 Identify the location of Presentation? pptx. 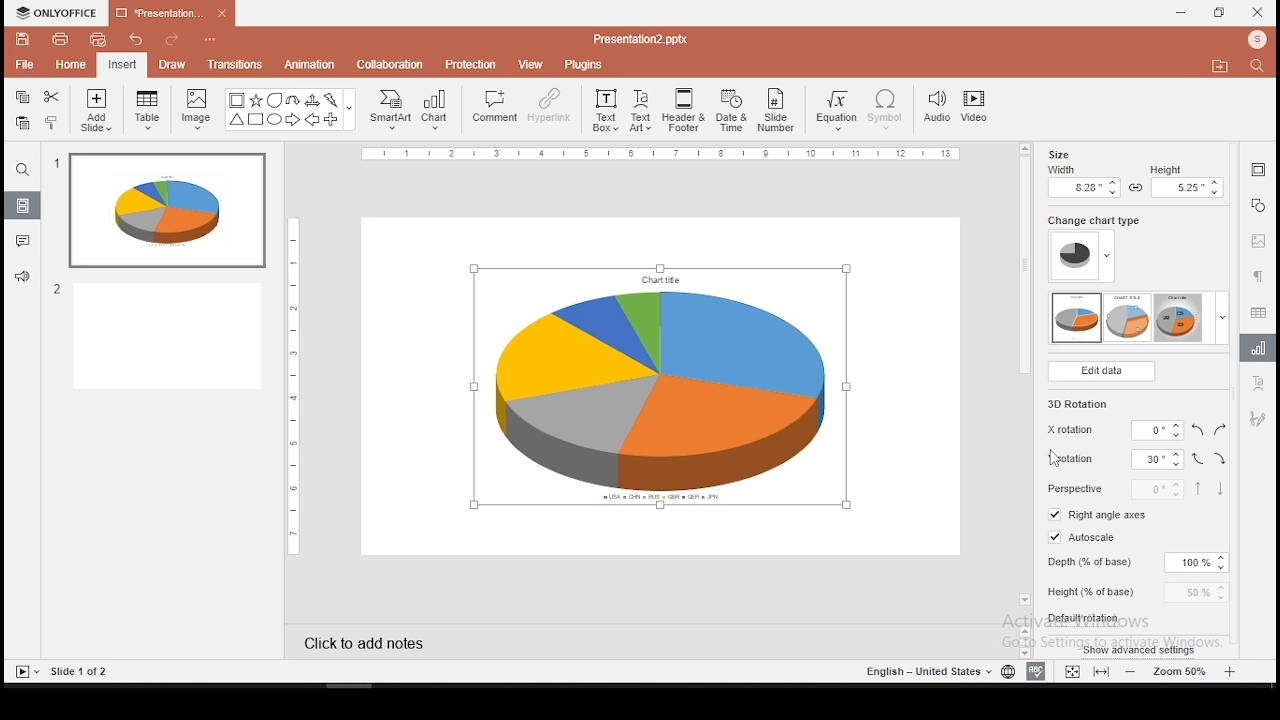
(638, 39).